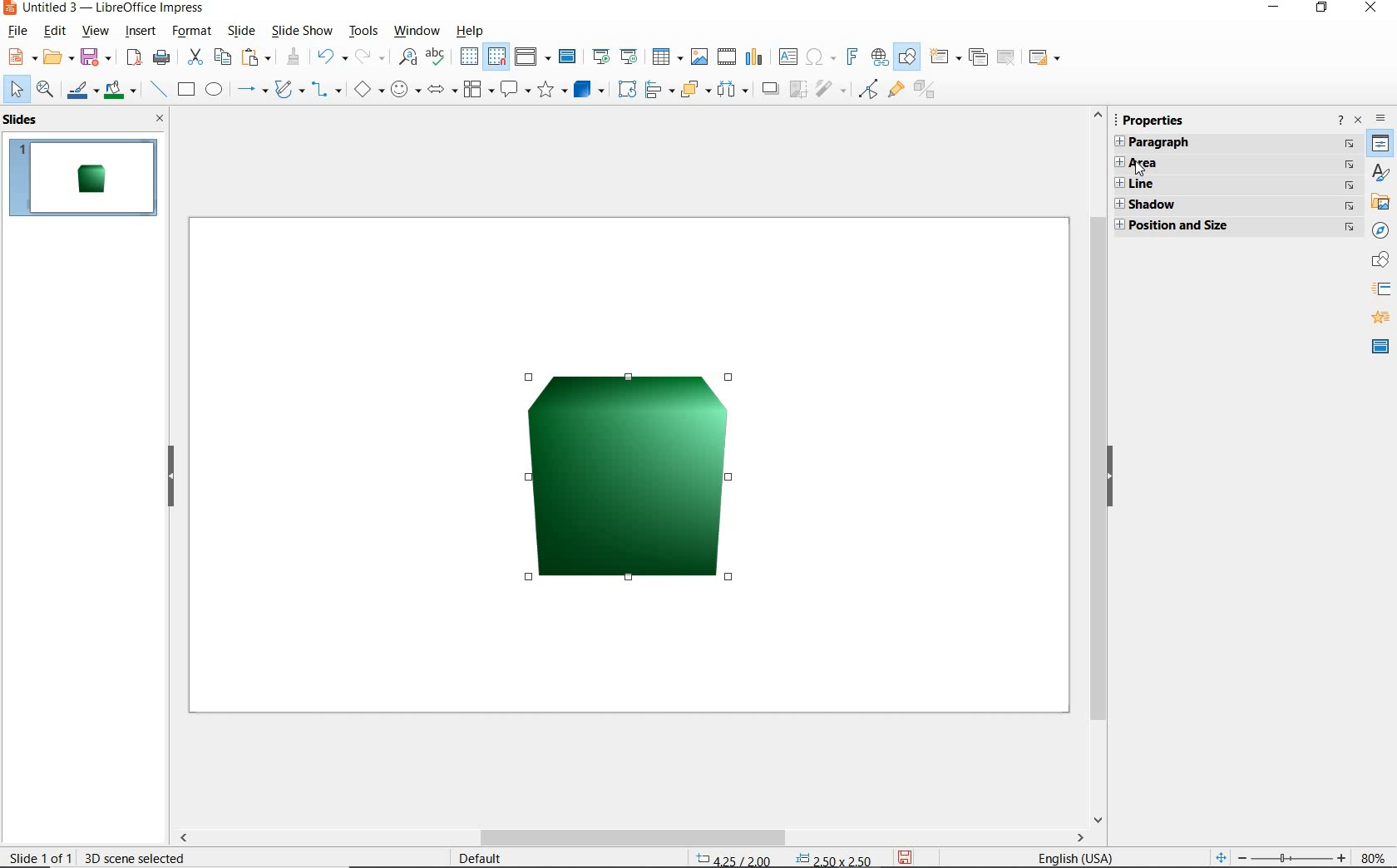 The width and height of the screenshot is (1397, 868). What do you see at coordinates (1358, 121) in the screenshot?
I see `CLOSE SIDEBAR DECK` at bounding box center [1358, 121].